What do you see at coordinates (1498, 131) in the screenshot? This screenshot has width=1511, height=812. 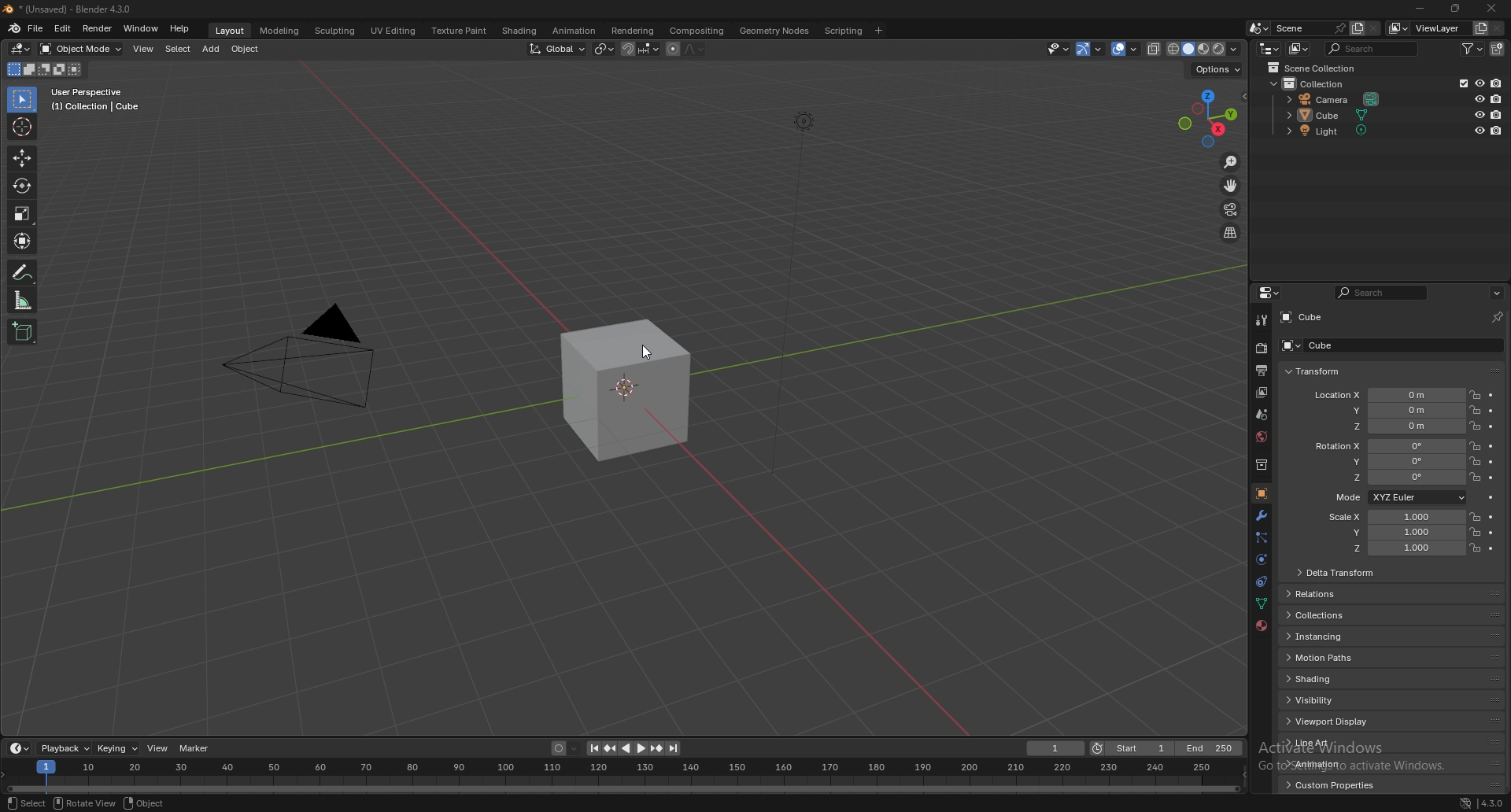 I see `disable in render` at bounding box center [1498, 131].